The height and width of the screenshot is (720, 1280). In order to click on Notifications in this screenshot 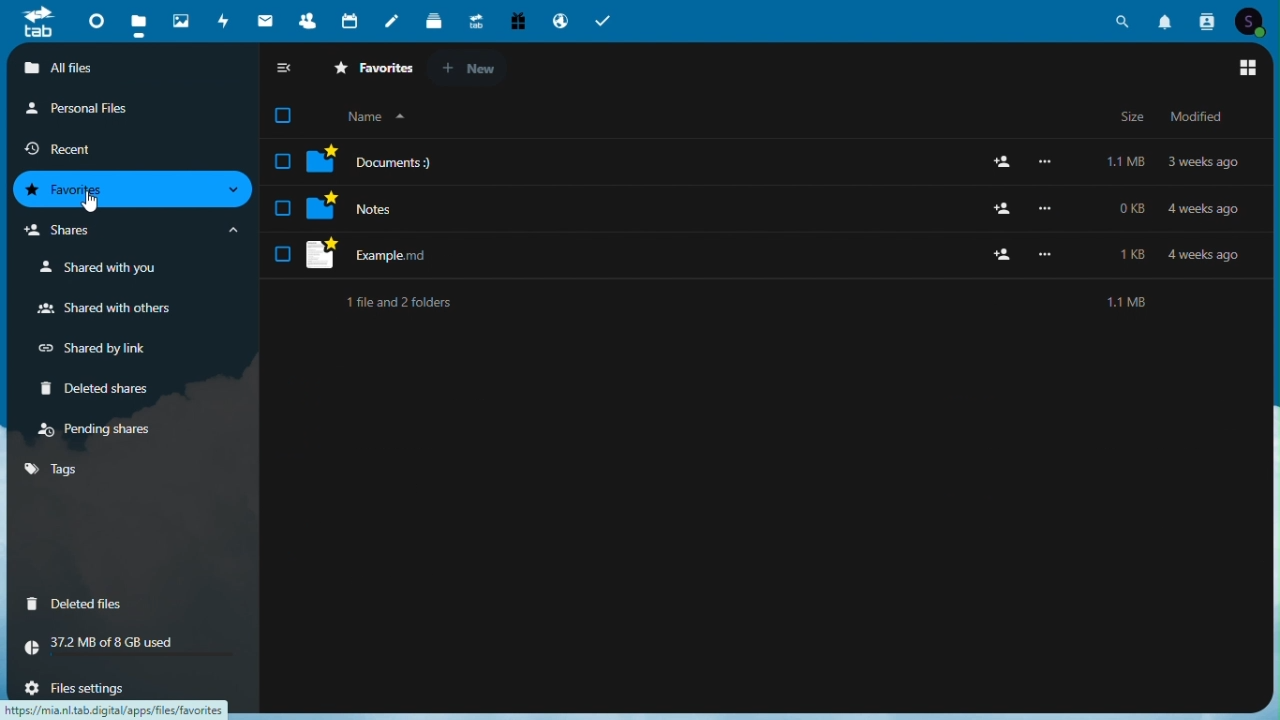, I will do `click(1167, 19)`.